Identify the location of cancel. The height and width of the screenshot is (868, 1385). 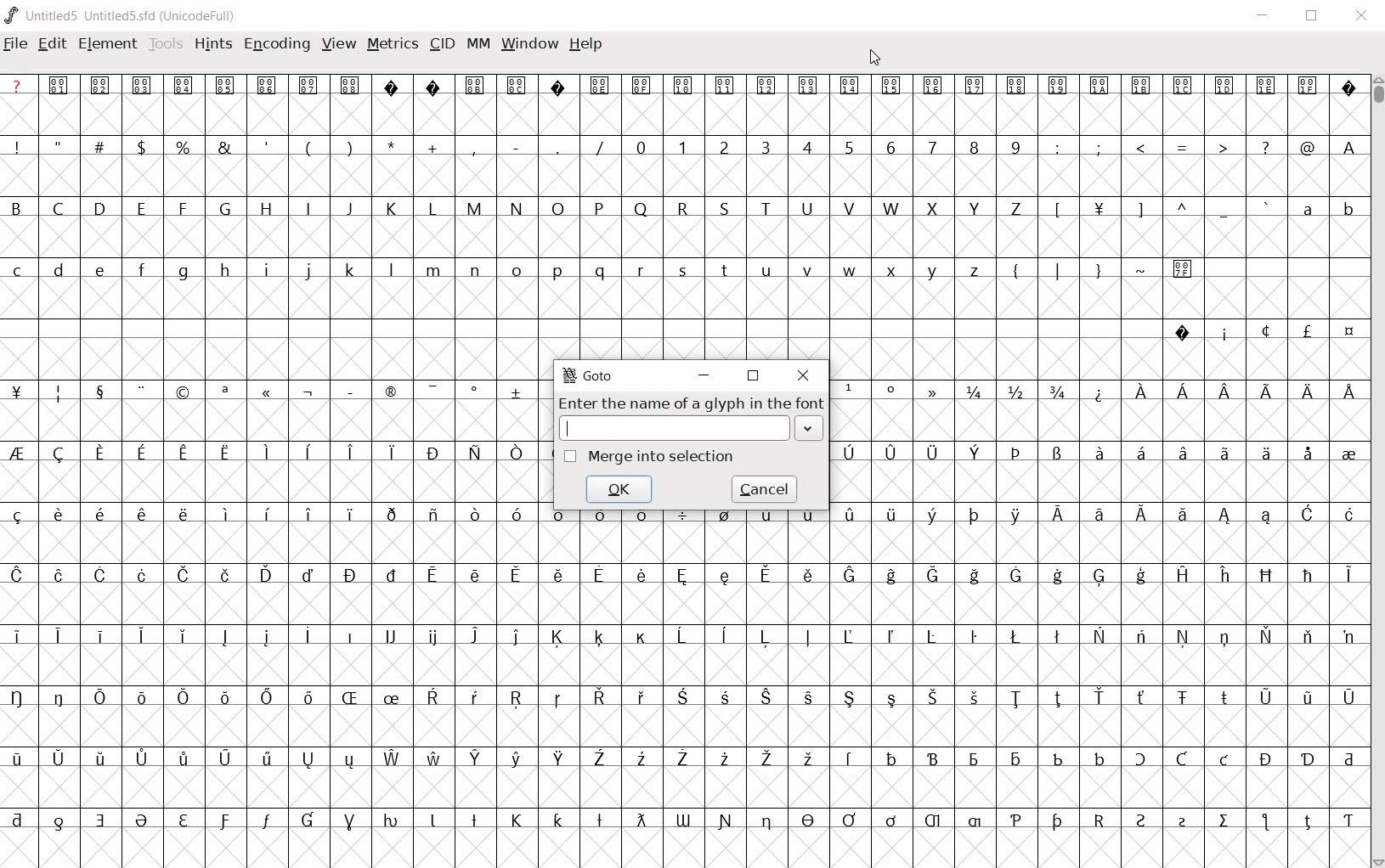
(765, 488).